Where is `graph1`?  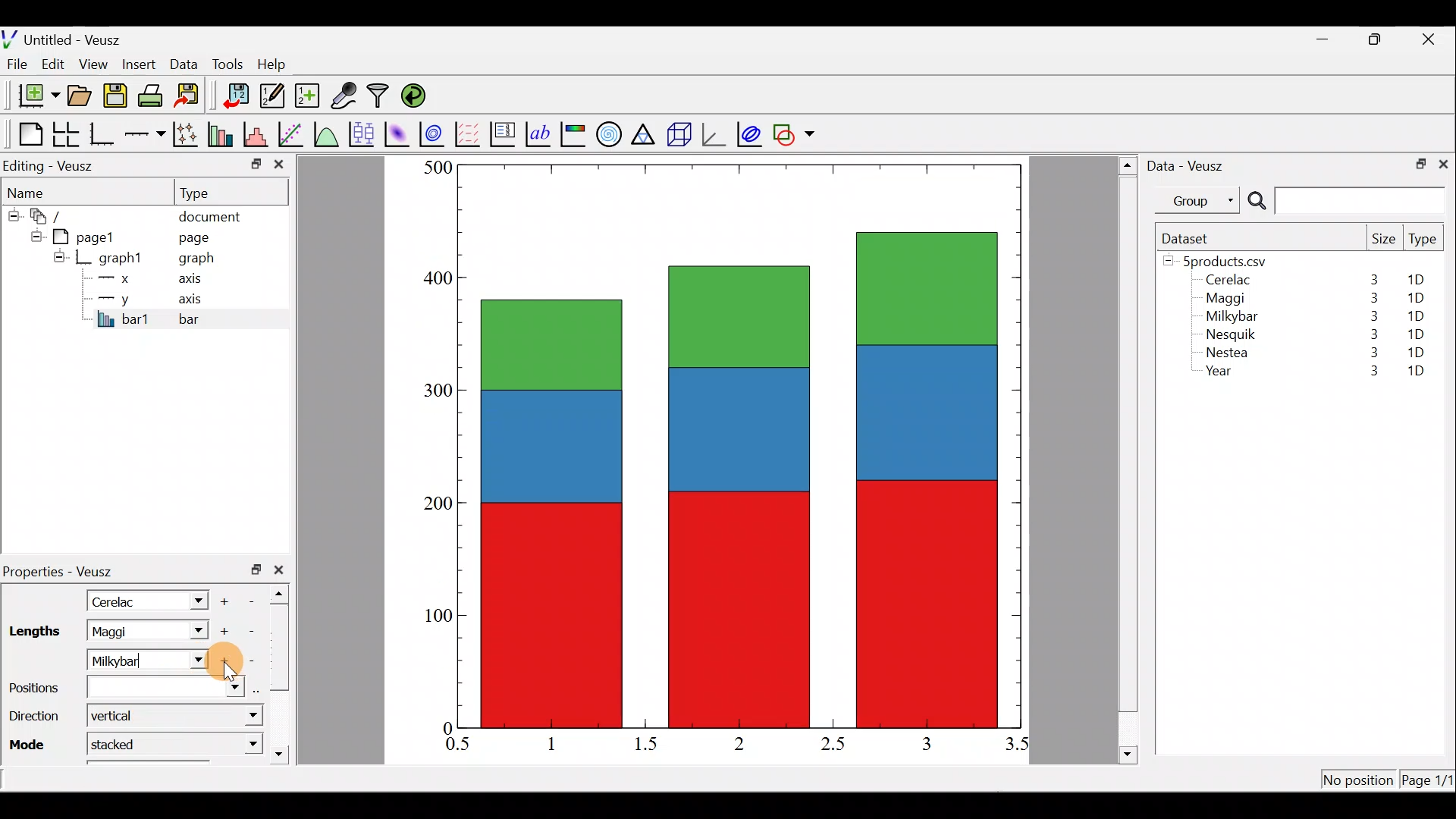
graph1 is located at coordinates (121, 259).